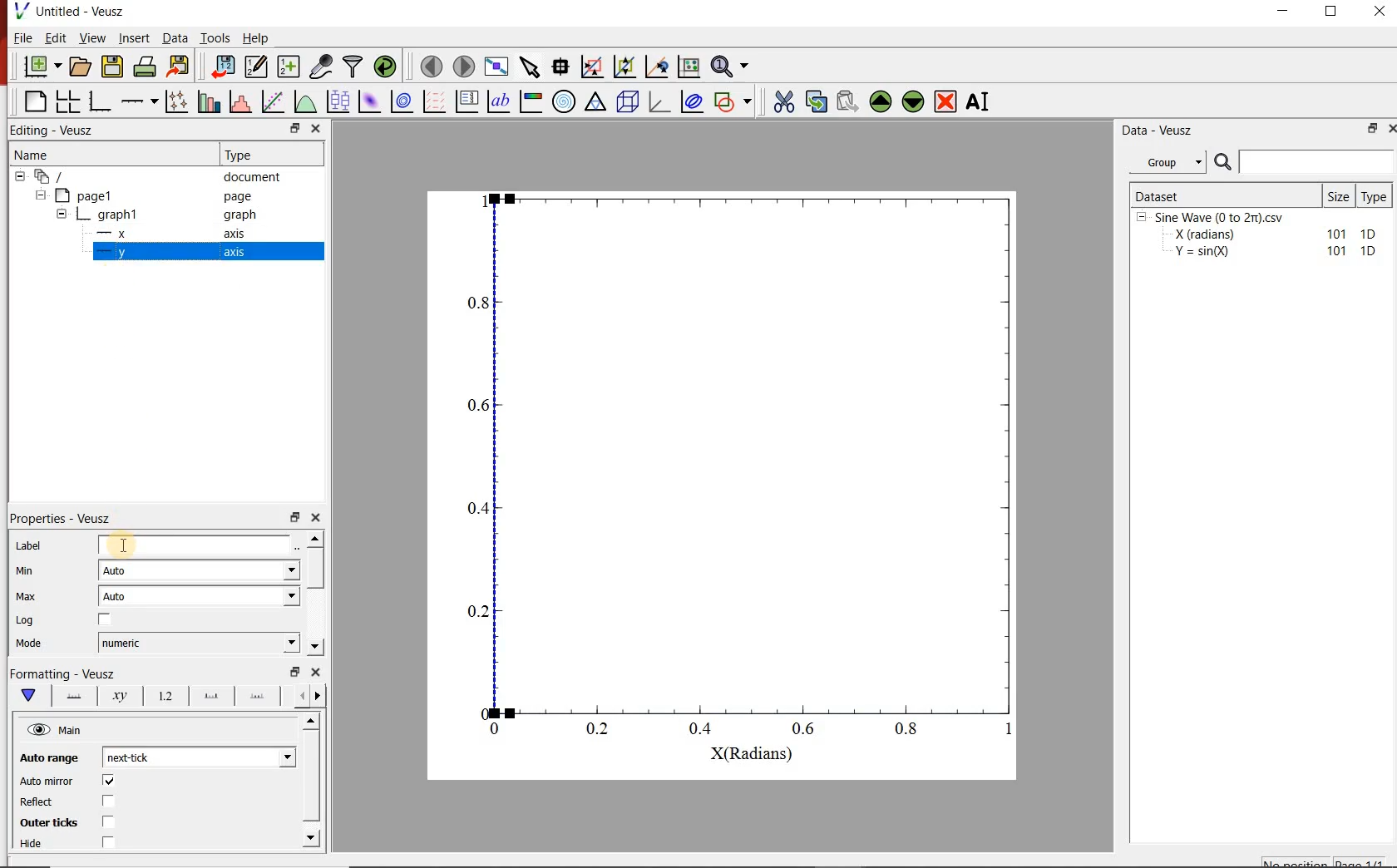 Image resolution: width=1397 pixels, height=868 pixels. What do you see at coordinates (55, 131) in the screenshot?
I see `Editing - Veusz` at bounding box center [55, 131].